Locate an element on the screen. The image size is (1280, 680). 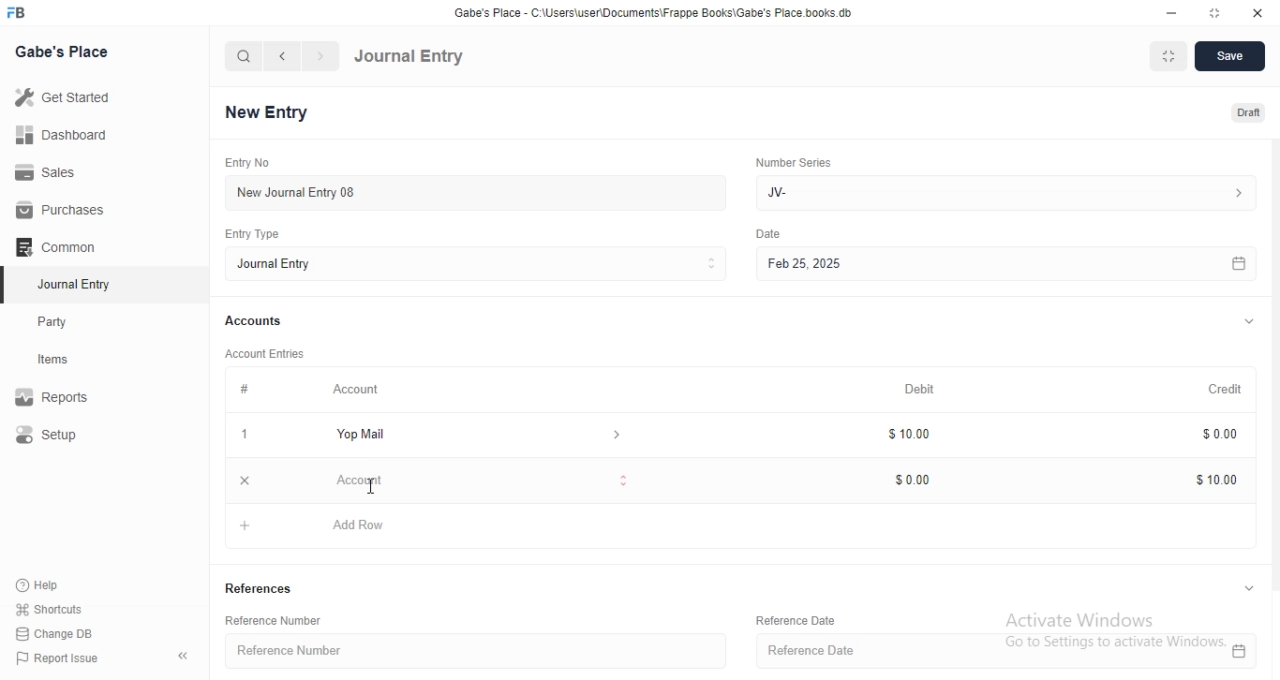
Reference Number is located at coordinates (470, 654).